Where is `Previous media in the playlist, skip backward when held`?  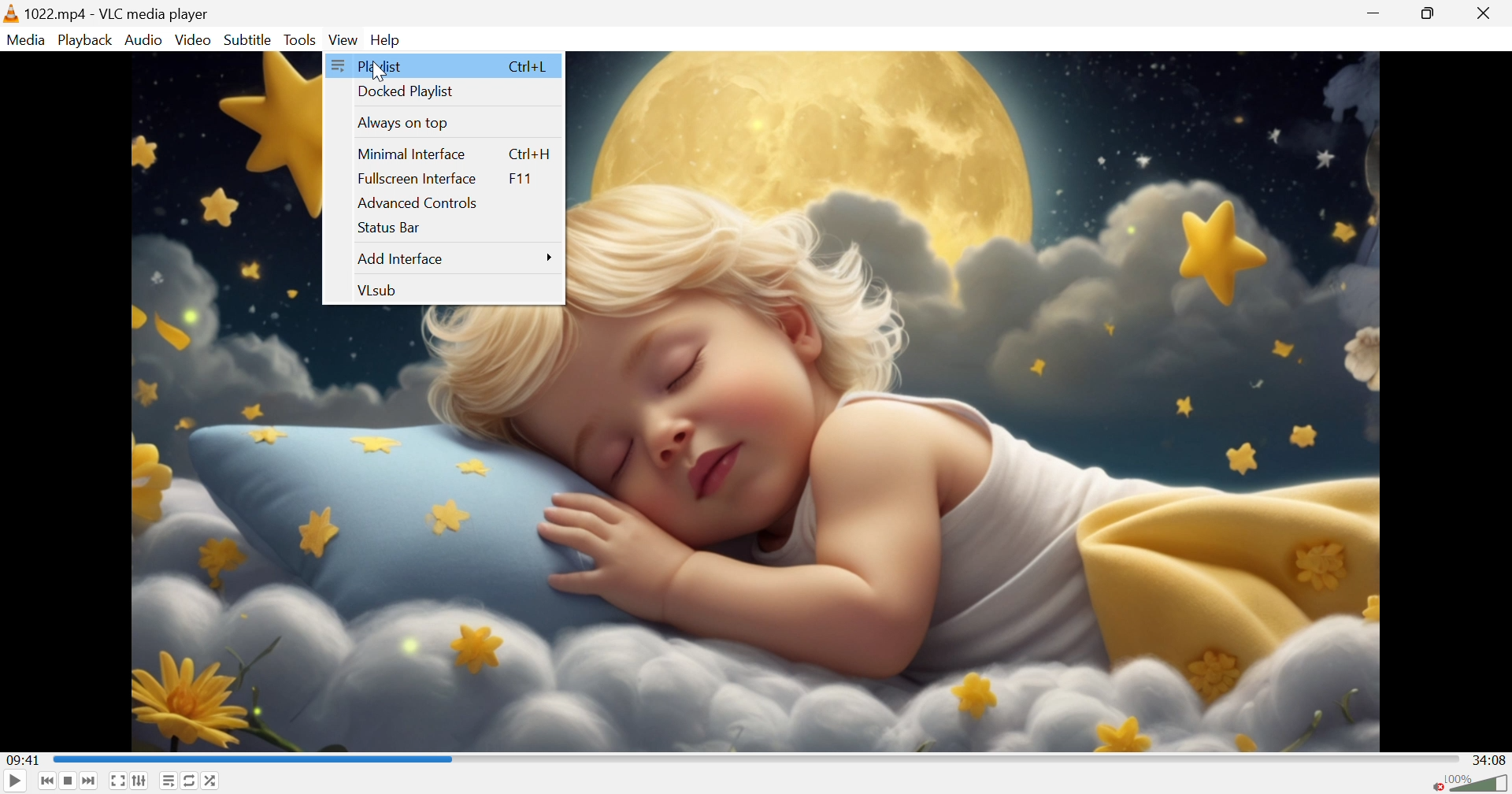
Previous media in the playlist, skip backward when held is located at coordinates (48, 782).